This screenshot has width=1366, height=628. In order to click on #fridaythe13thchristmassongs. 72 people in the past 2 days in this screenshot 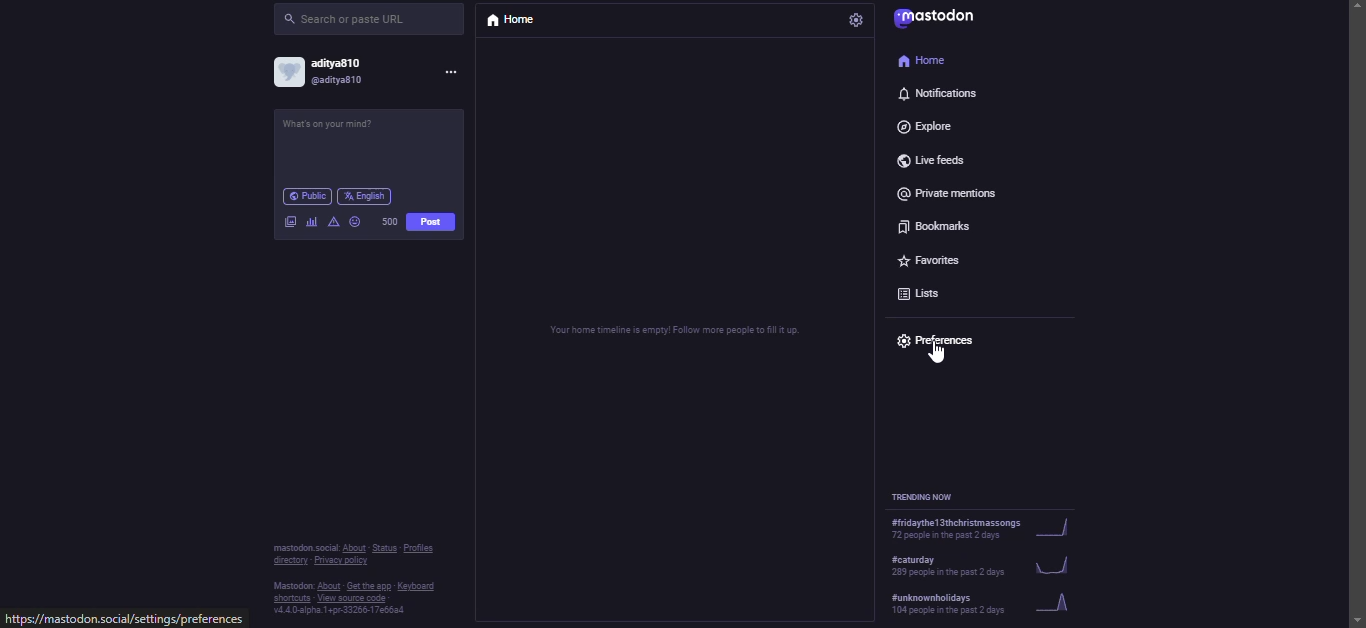, I will do `click(990, 528)`.